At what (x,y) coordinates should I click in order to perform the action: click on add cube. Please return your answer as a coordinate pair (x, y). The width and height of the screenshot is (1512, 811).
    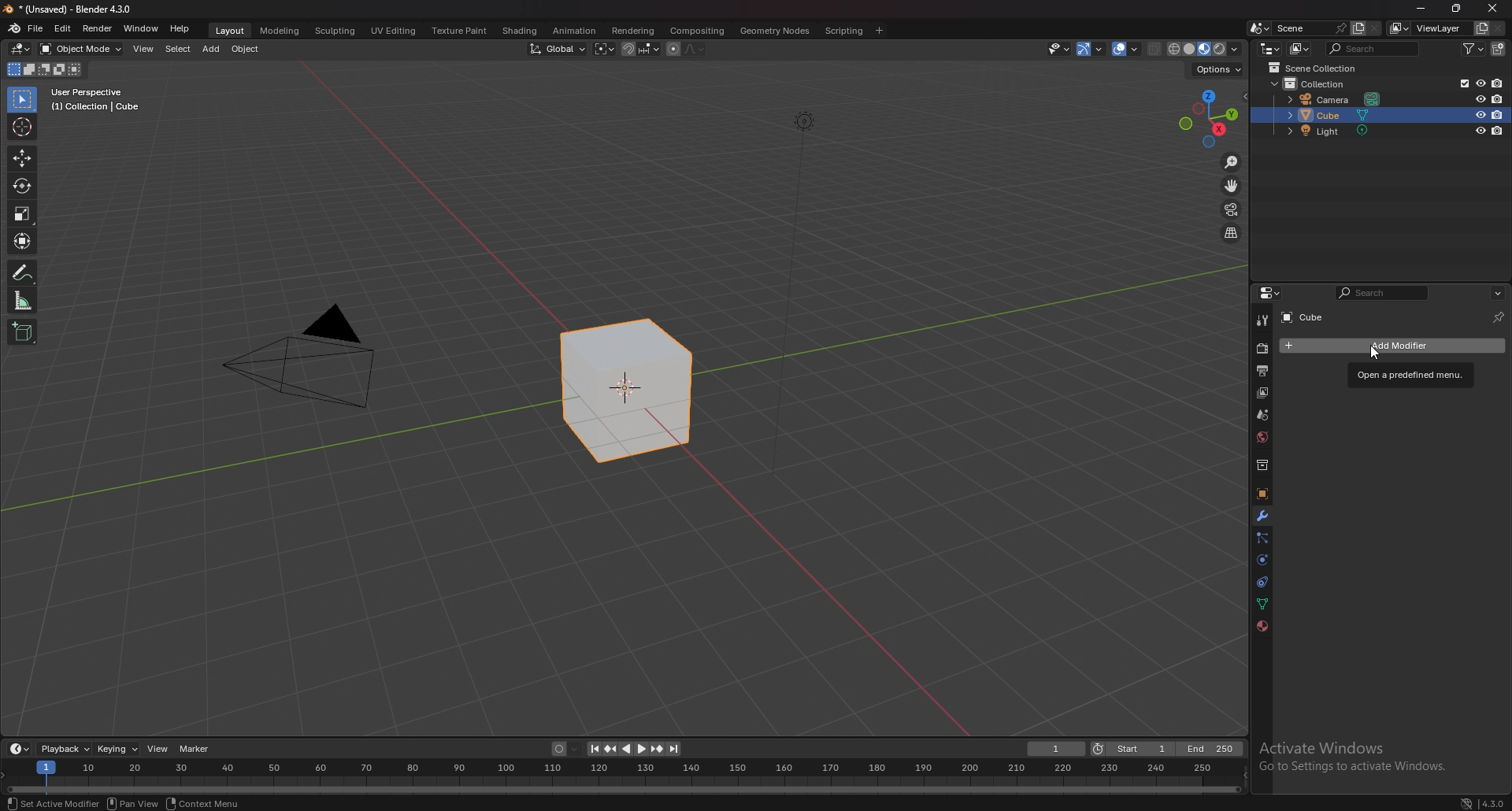
    Looking at the image, I should click on (21, 332).